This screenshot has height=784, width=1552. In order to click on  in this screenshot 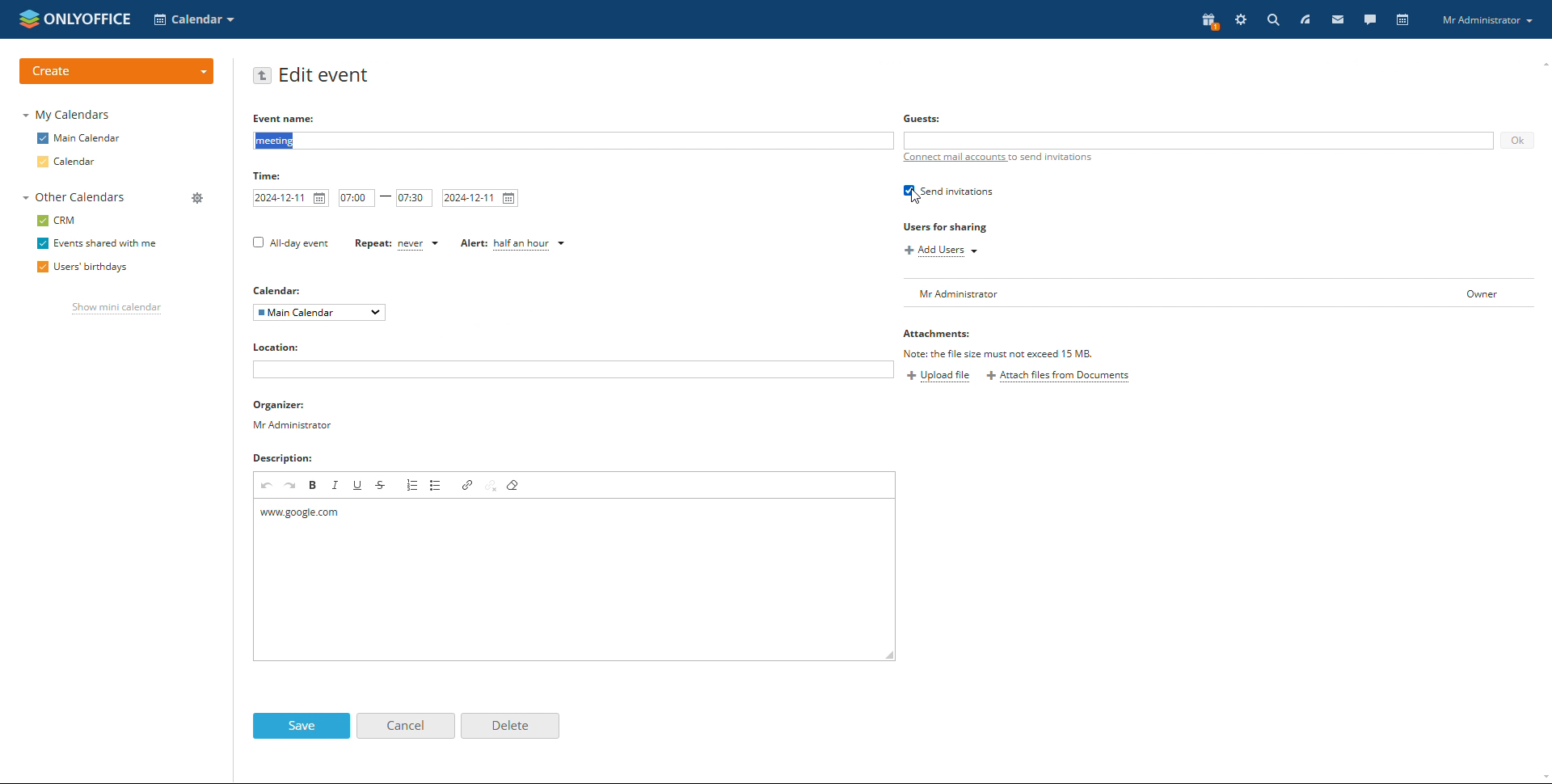, I will do `click(921, 119)`.